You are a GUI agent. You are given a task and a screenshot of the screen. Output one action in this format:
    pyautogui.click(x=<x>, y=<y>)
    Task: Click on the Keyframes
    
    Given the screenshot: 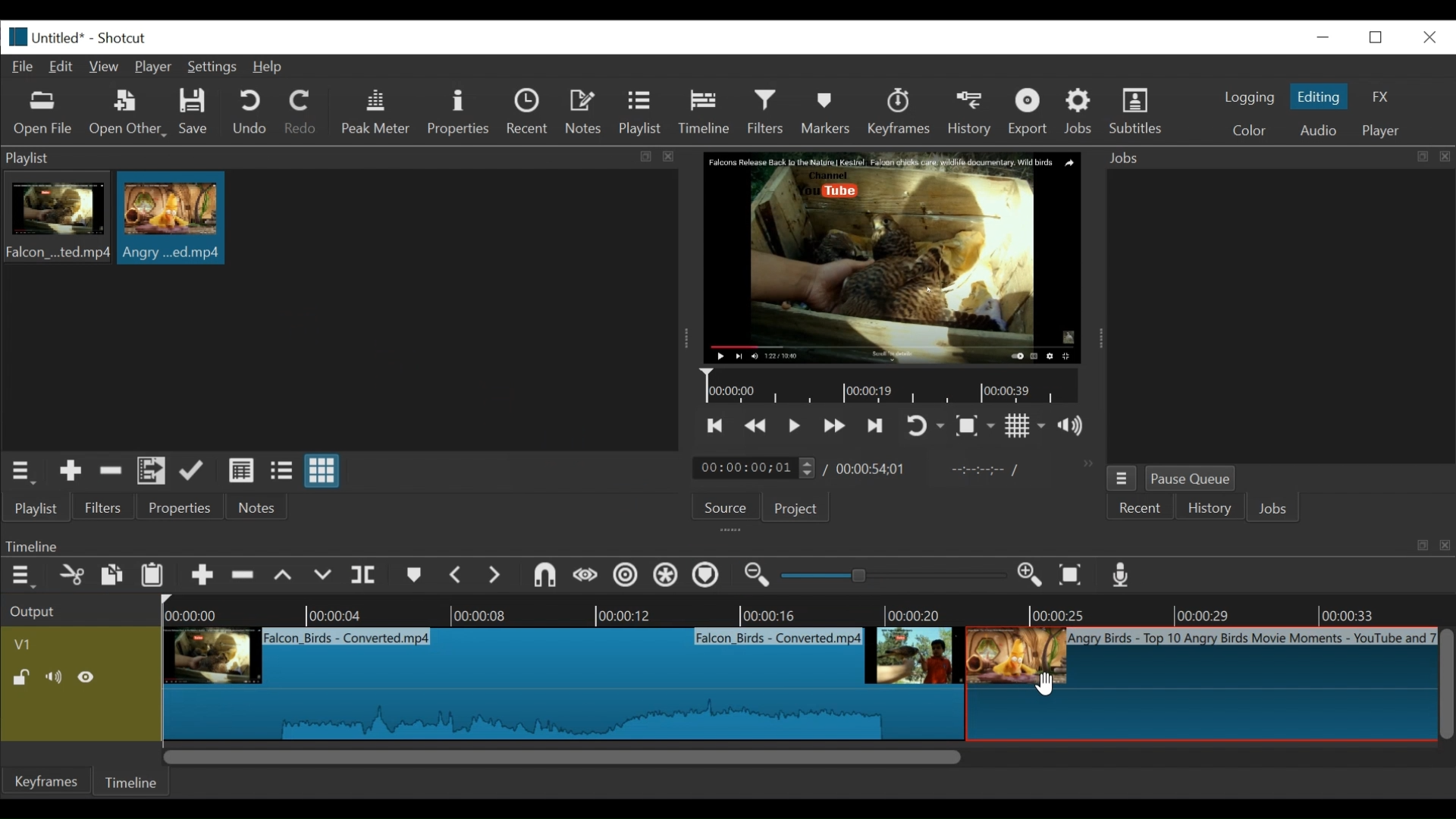 What is the action you would take?
    pyautogui.click(x=48, y=781)
    